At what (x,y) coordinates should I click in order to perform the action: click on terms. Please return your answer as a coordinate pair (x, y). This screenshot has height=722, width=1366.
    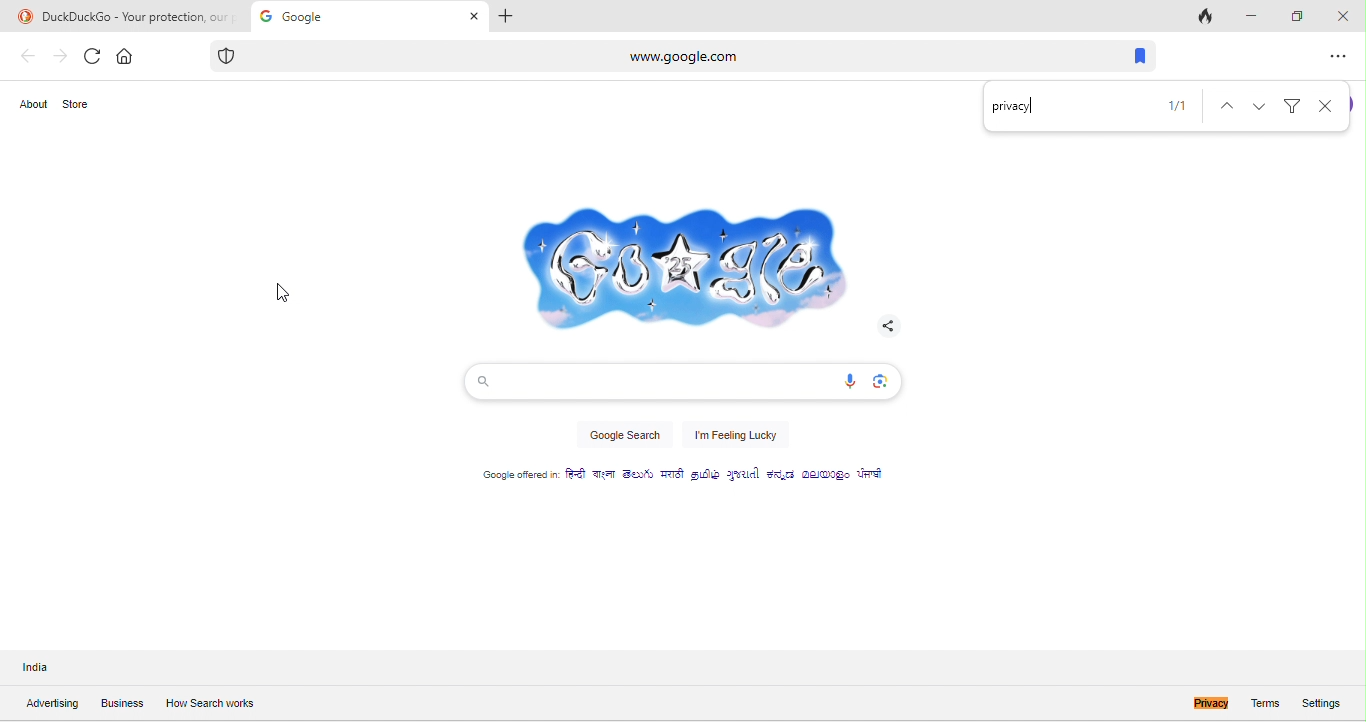
    Looking at the image, I should click on (1264, 702).